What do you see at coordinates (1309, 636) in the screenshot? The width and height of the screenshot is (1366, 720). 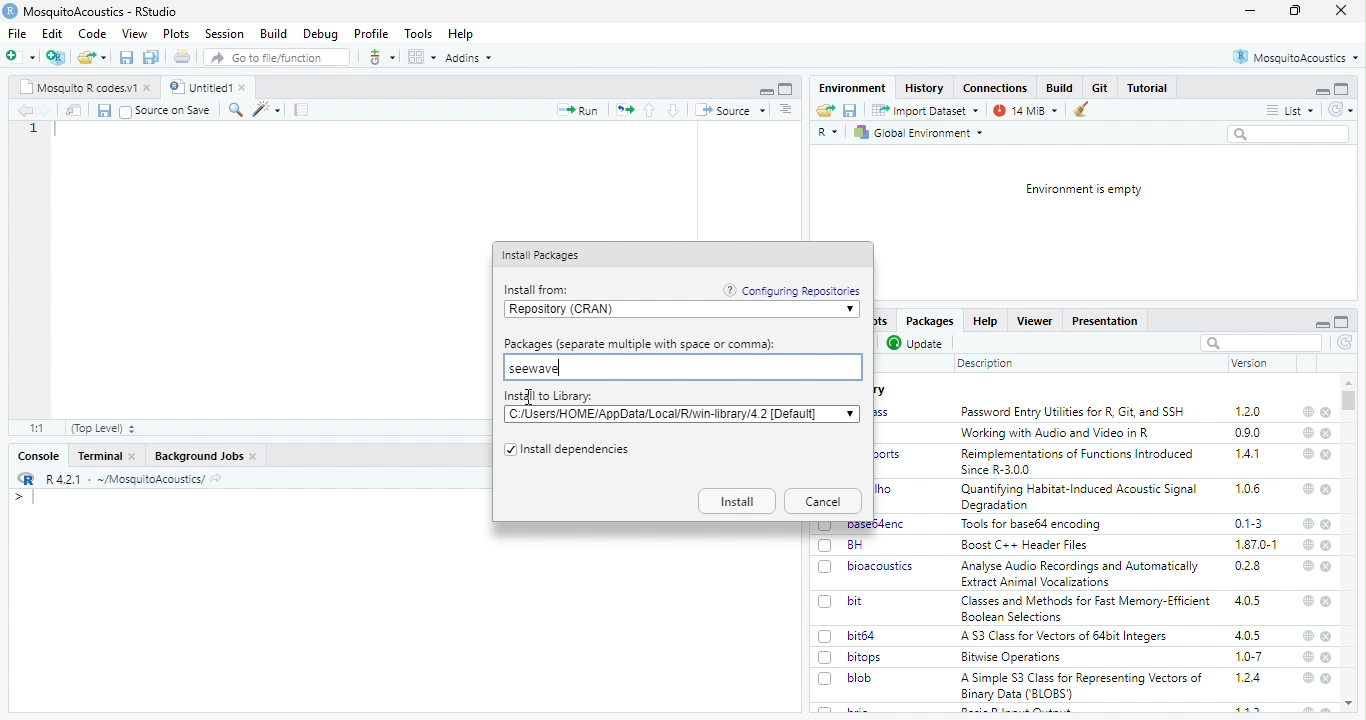 I see `web` at bounding box center [1309, 636].